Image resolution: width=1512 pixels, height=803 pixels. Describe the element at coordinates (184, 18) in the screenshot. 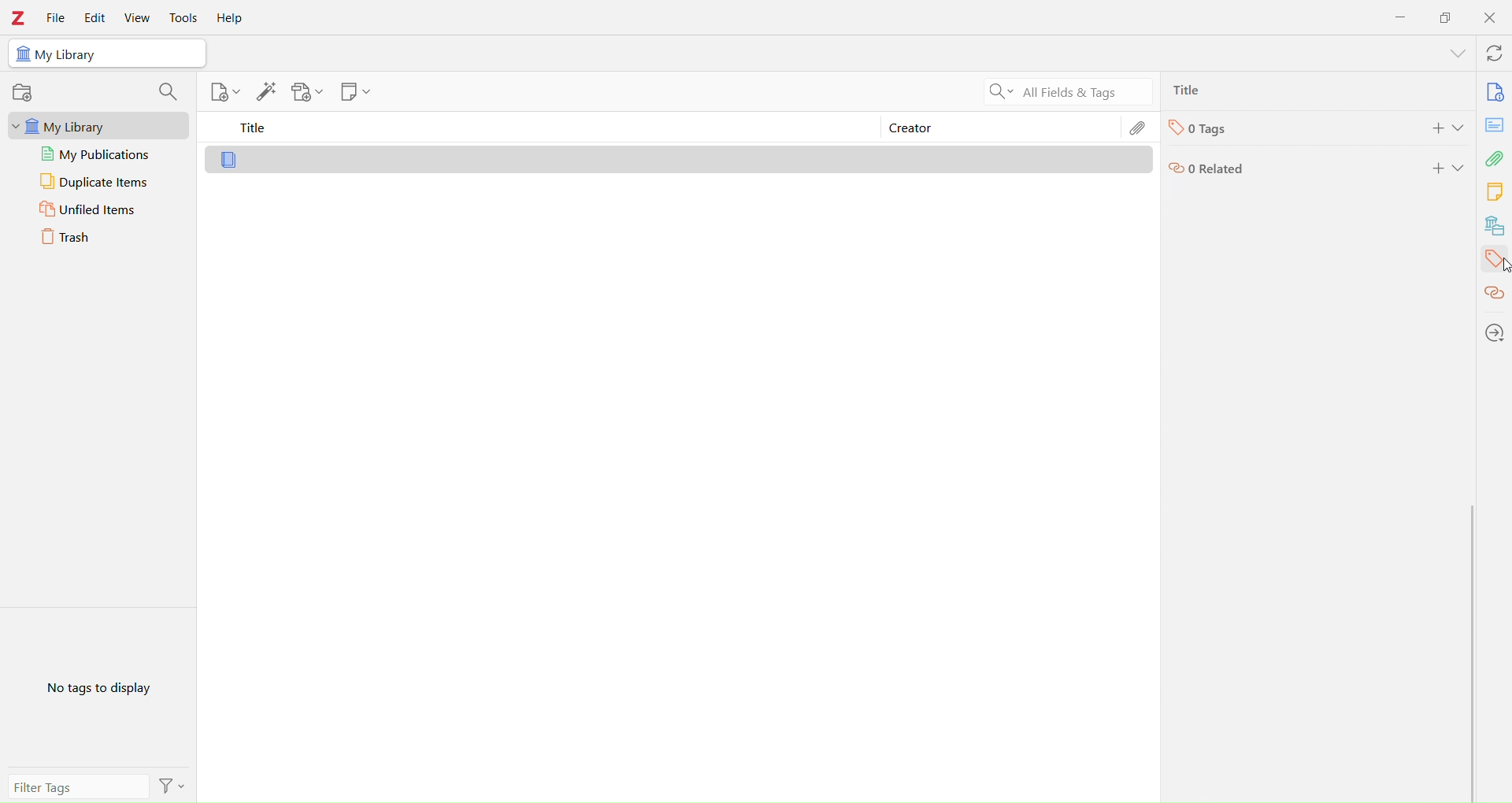

I see `` at that location.